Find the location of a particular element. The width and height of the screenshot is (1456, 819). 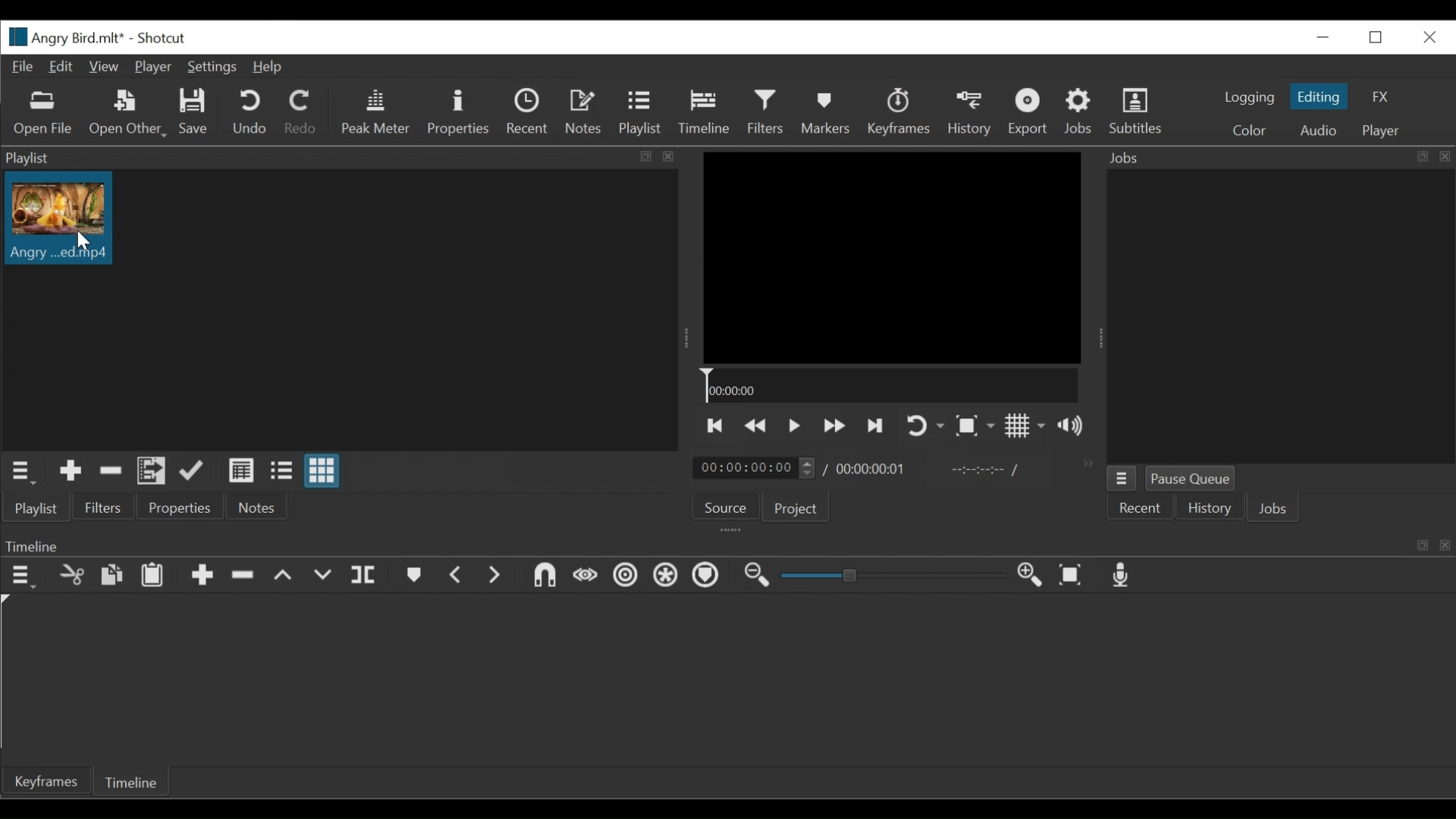

Jobs Panel is located at coordinates (1280, 315).